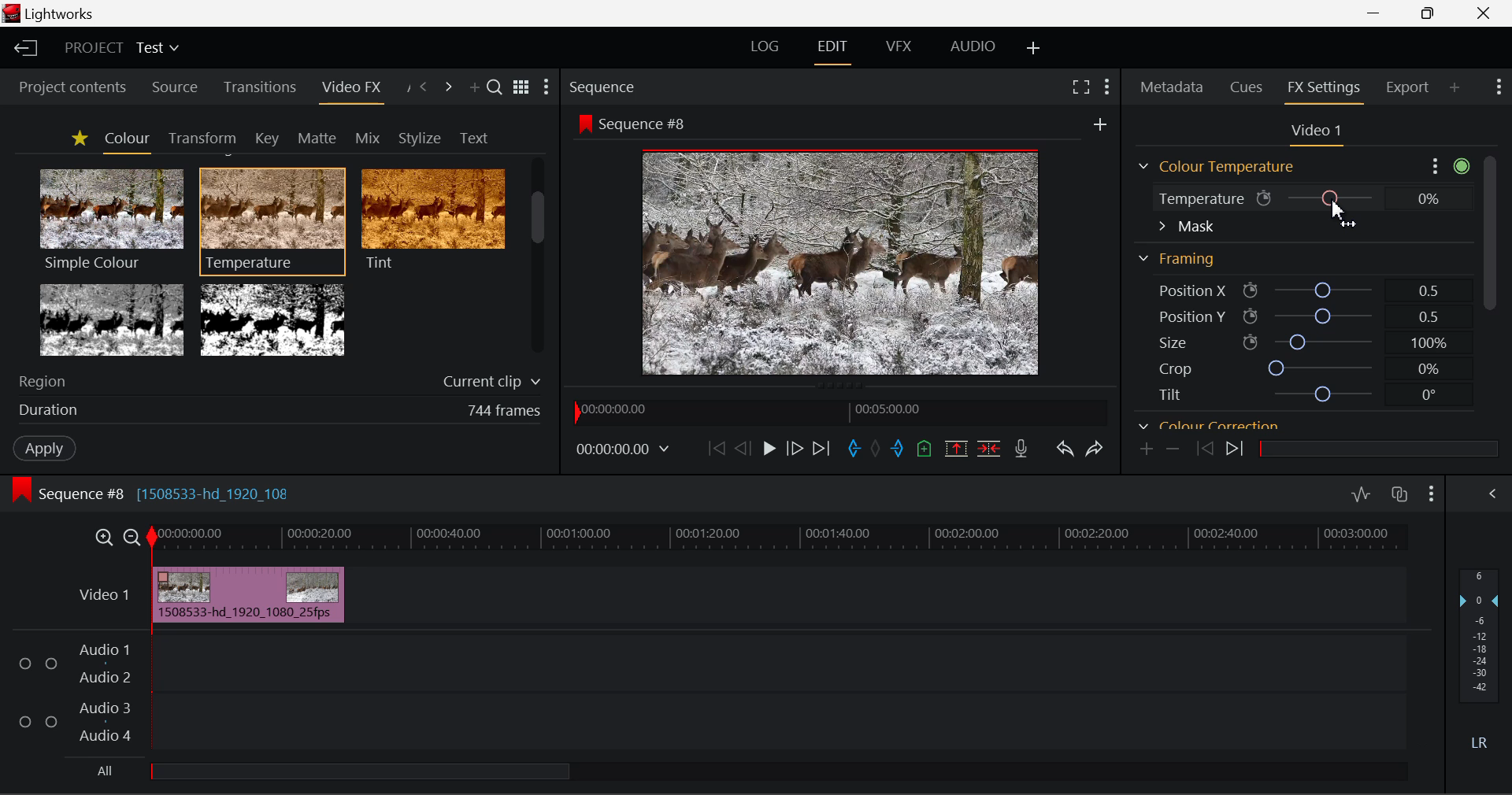  I want to click on Add Panel, so click(1454, 92).